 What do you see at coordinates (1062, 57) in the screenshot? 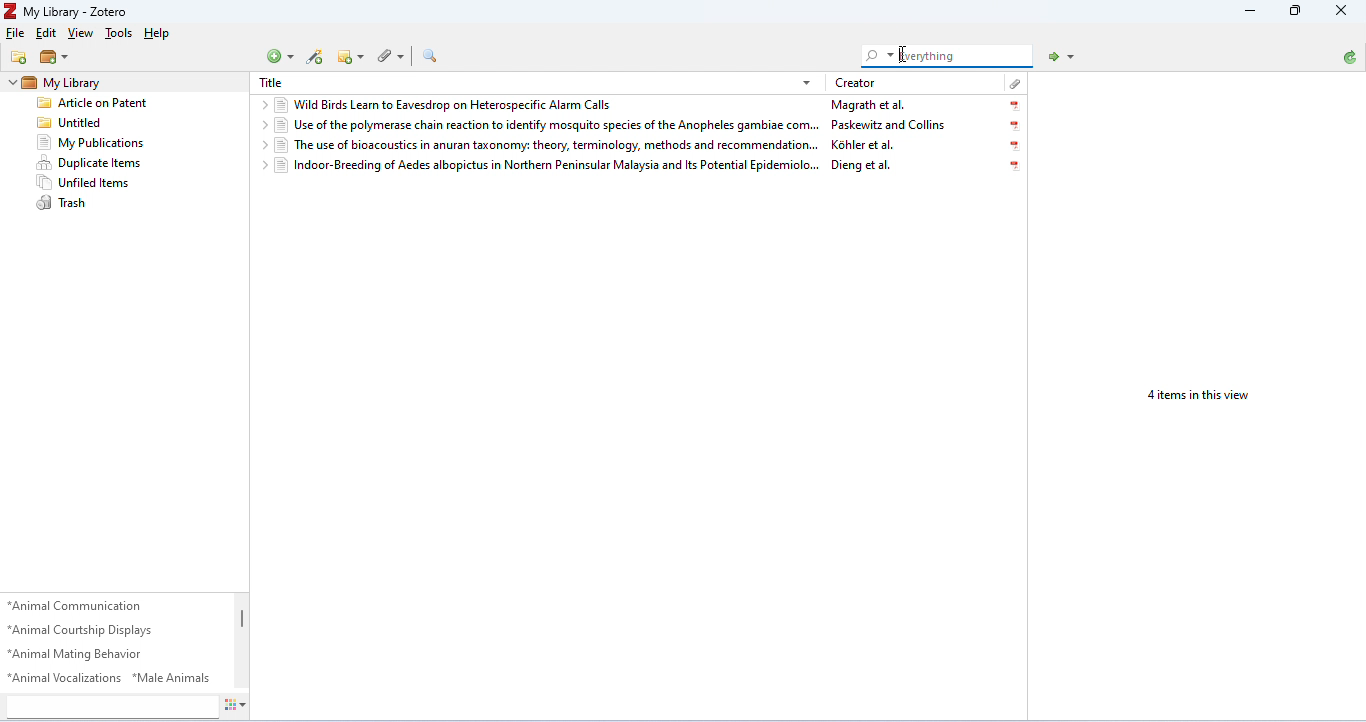
I see `Locate` at bounding box center [1062, 57].